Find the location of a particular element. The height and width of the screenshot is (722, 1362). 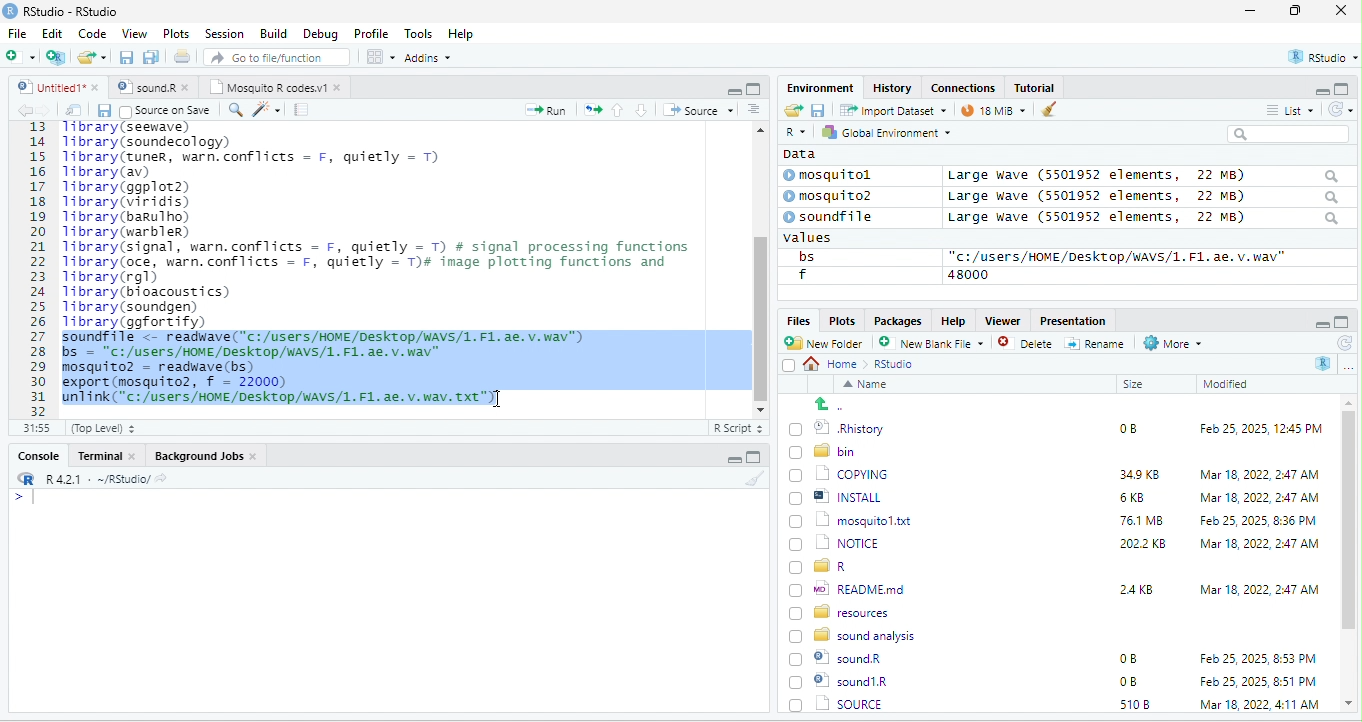

Feb 25, 2025, 8:51 PM is located at coordinates (1259, 659).